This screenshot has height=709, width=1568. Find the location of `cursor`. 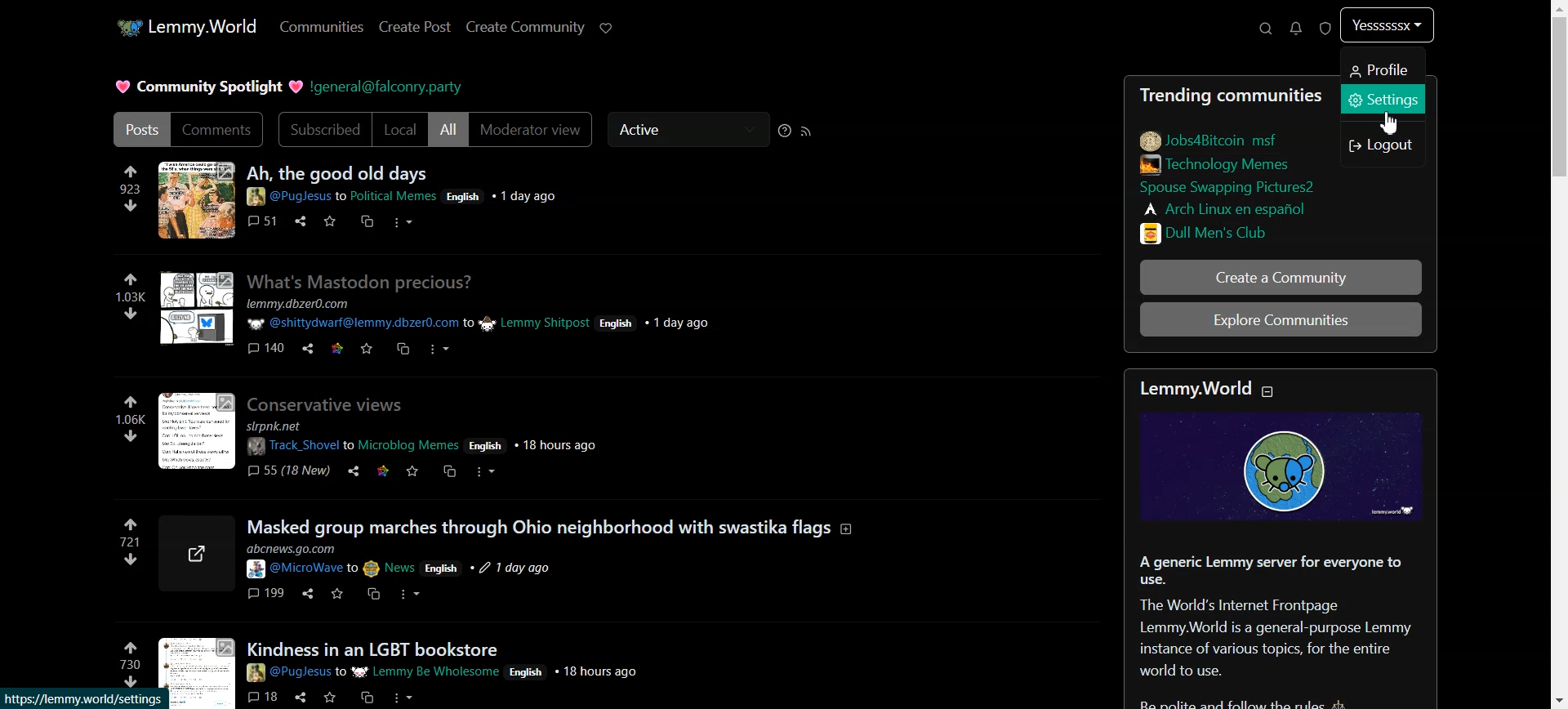

cursor is located at coordinates (1396, 123).